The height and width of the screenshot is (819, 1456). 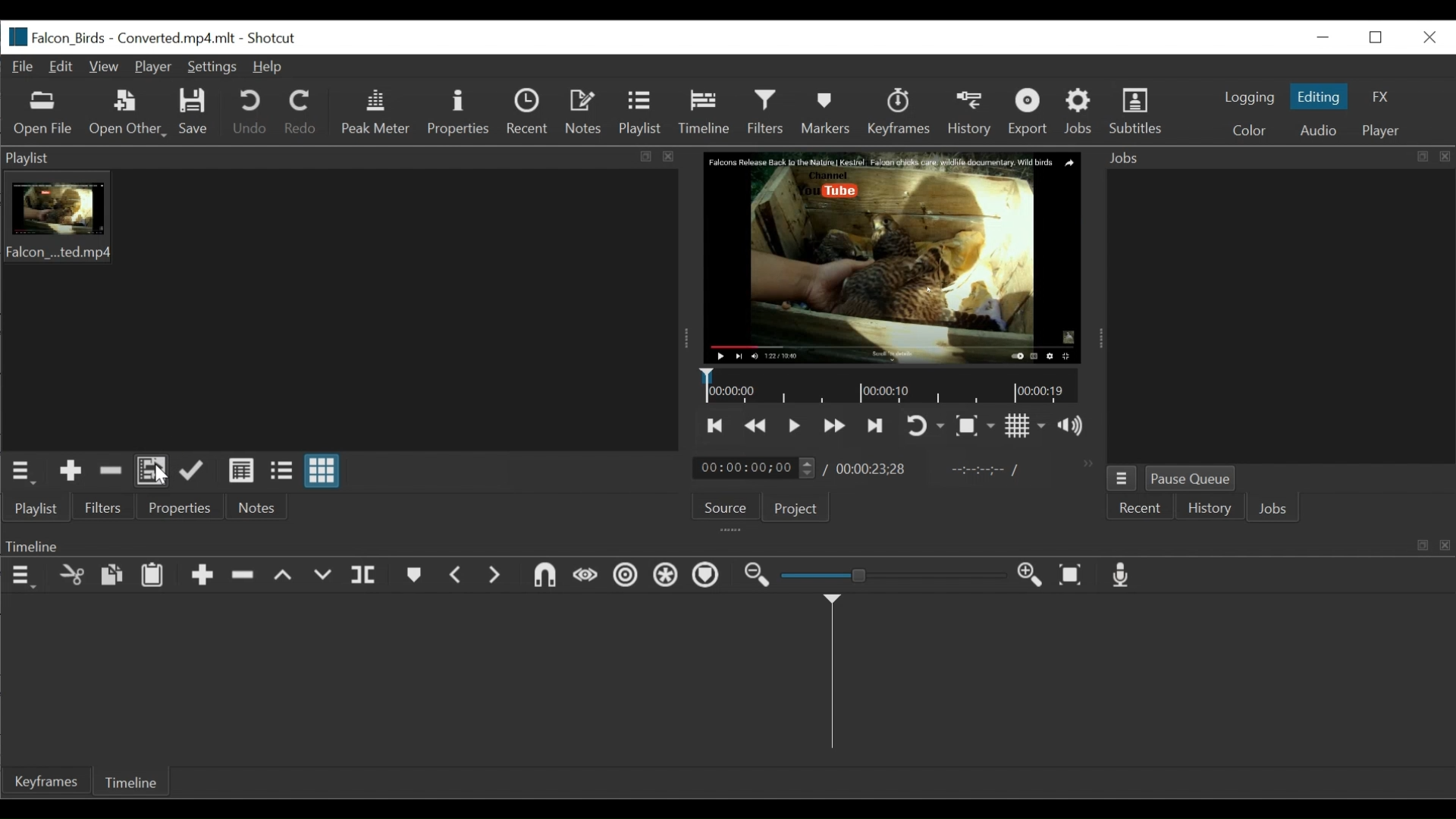 I want to click on Ripple Markers, so click(x=709, y=578).